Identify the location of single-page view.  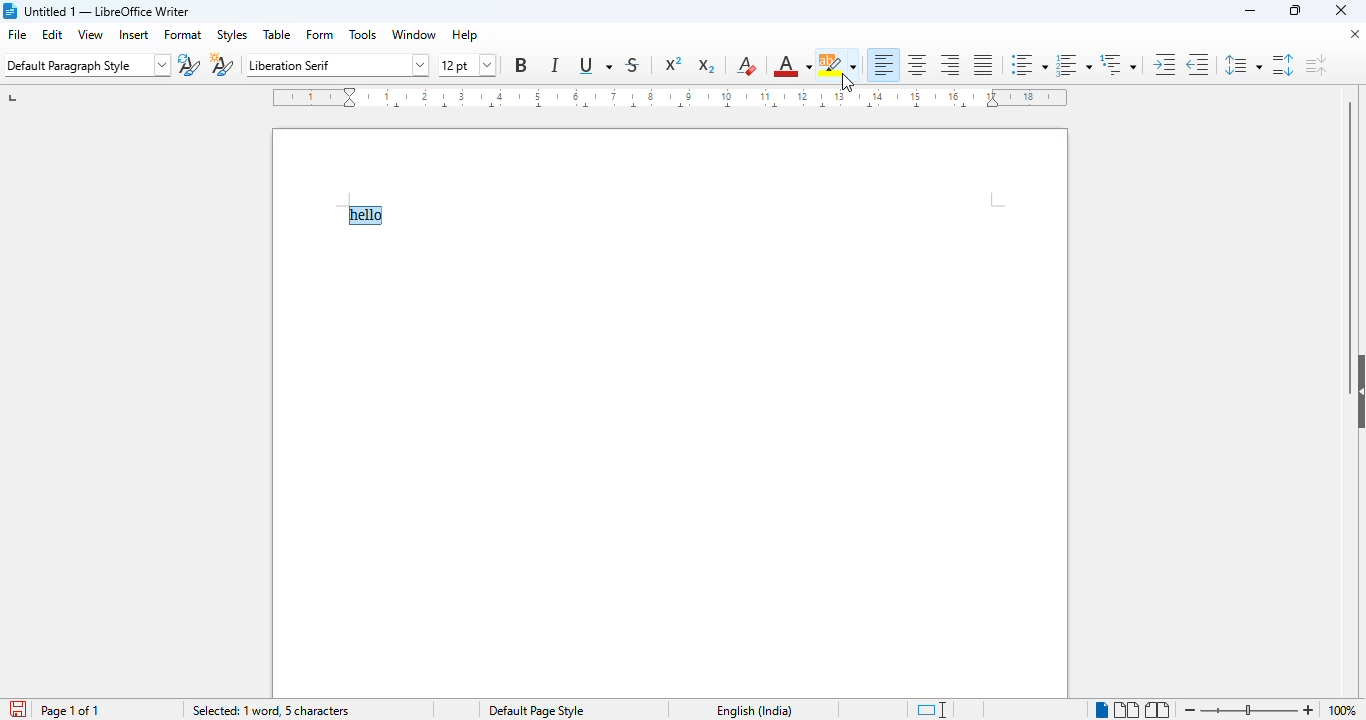
(1102, 710).